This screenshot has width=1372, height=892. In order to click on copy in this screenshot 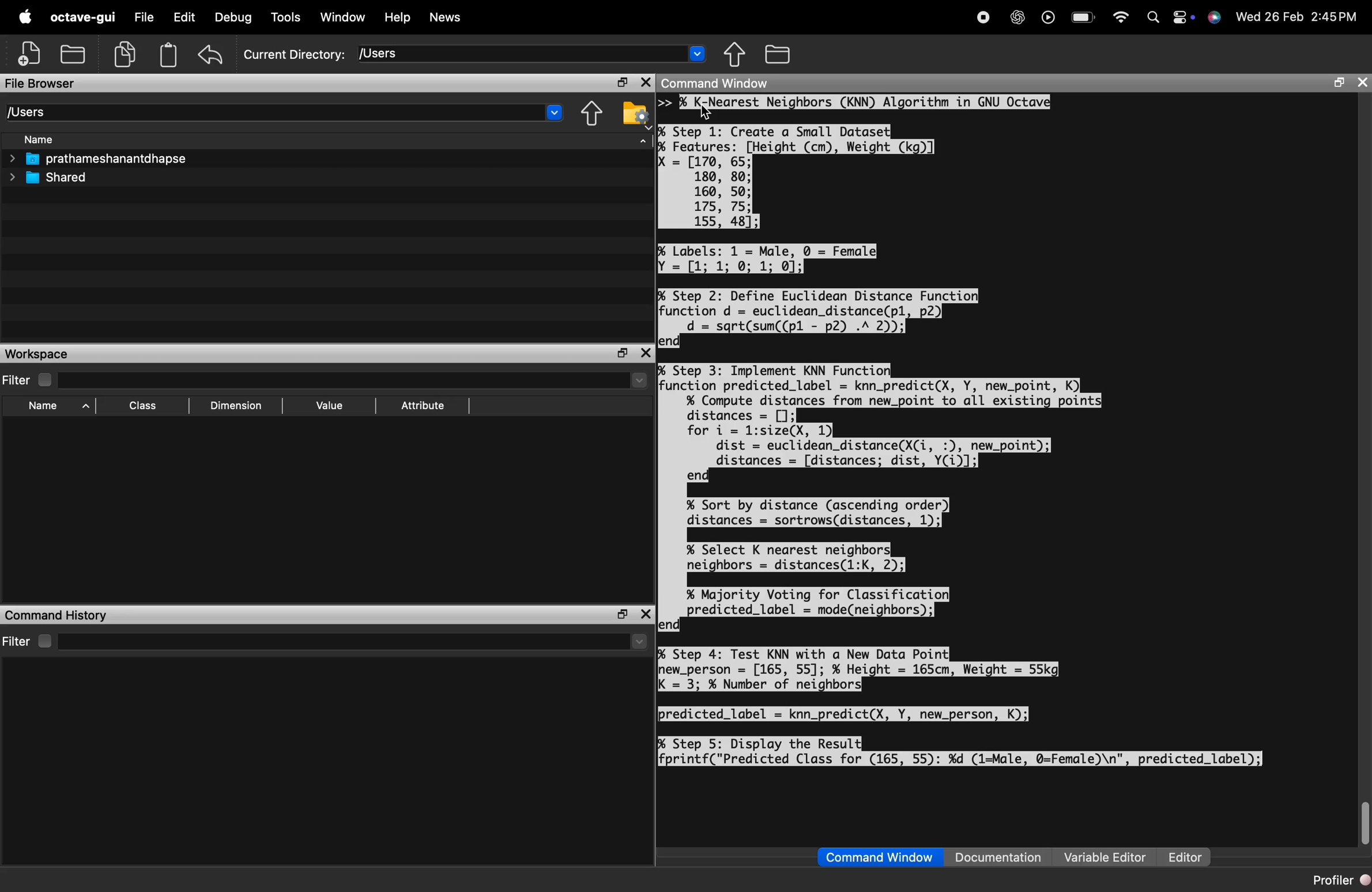, I will do `click(125, 54)`.